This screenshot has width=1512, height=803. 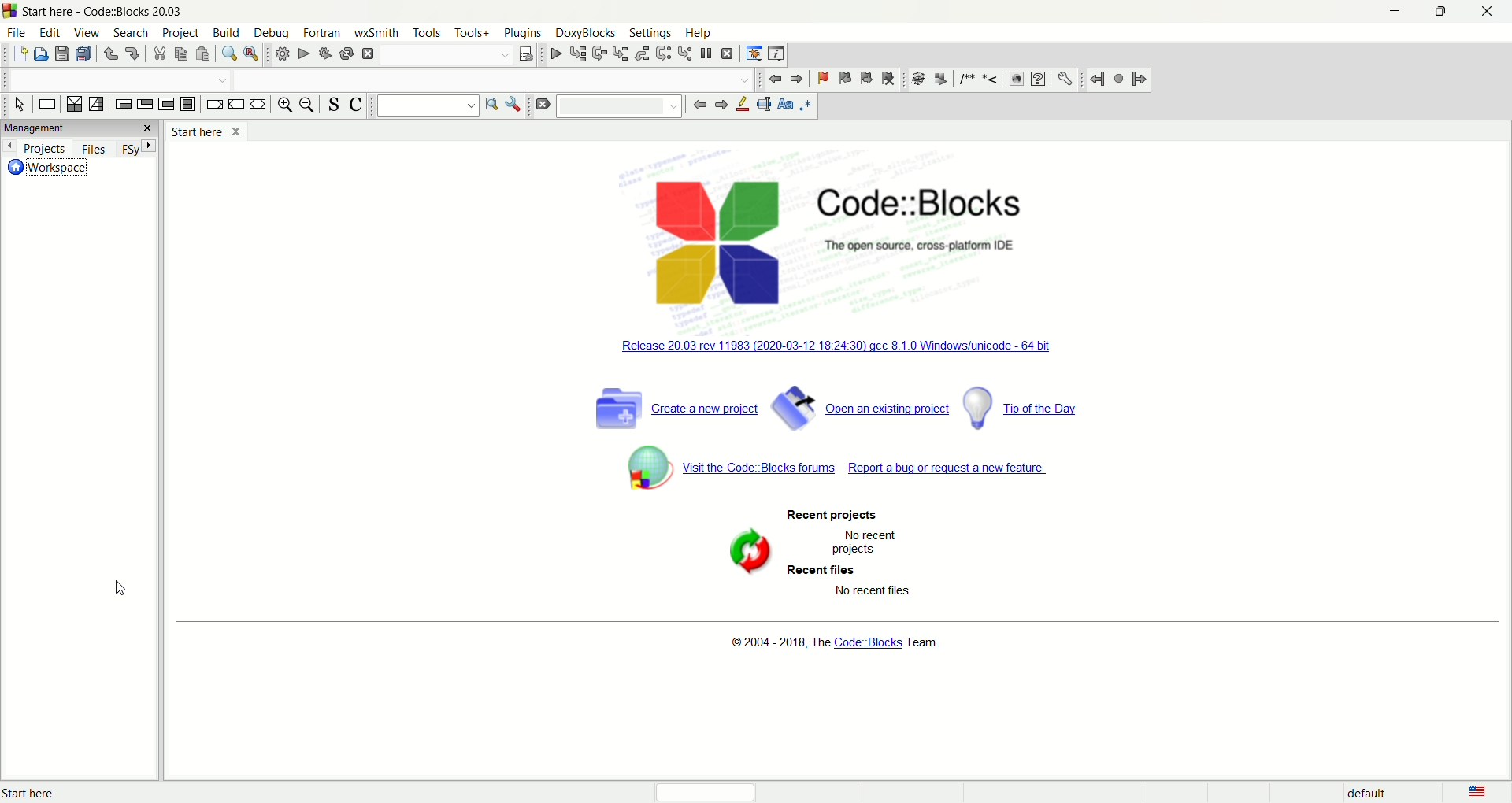 I want to click on next bookmark, so click(x=865, y=79).